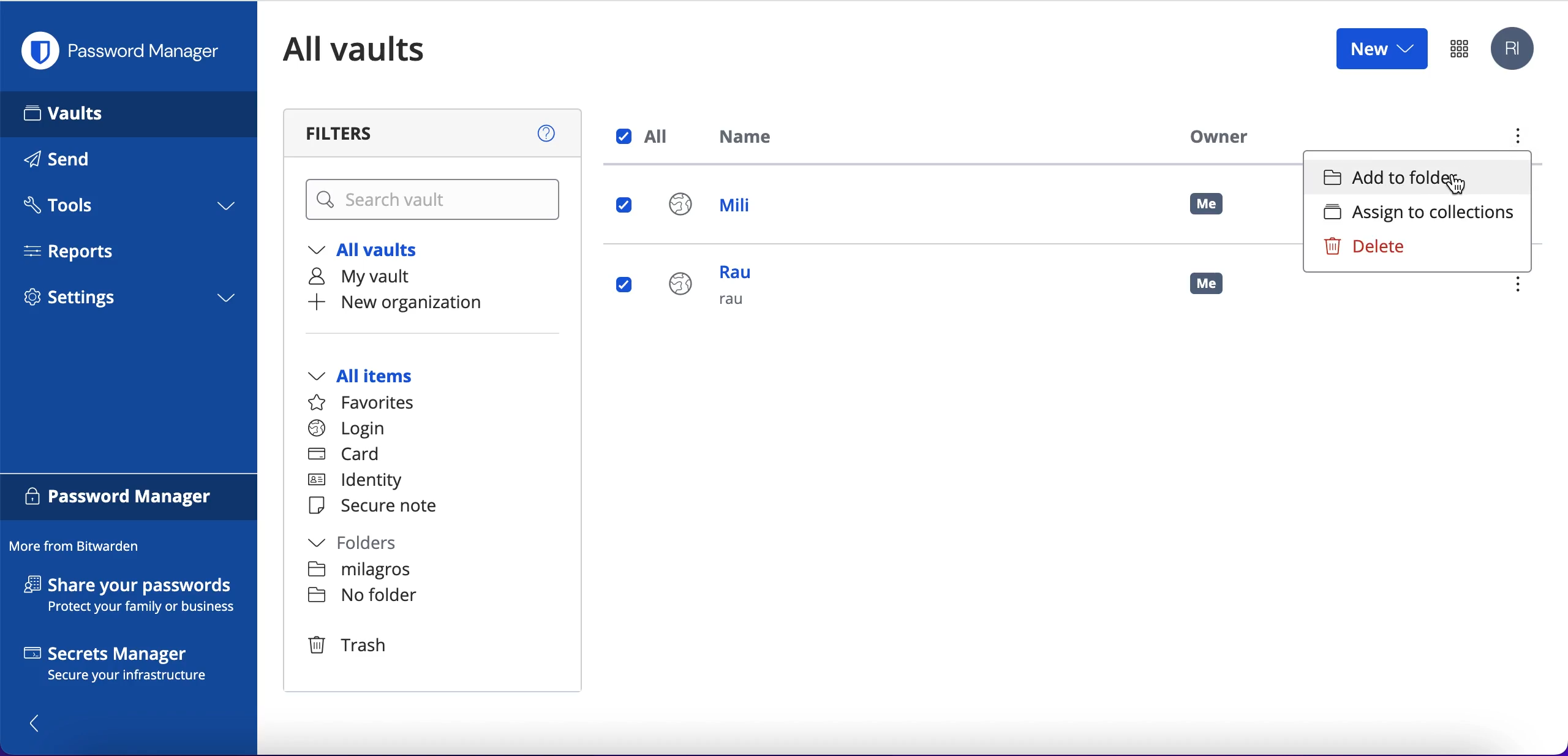  What do you see at coordinates (129, 667) in the screenshot?
I see `secrets manager secure your infrastructure` at bounding box center [129, 667].